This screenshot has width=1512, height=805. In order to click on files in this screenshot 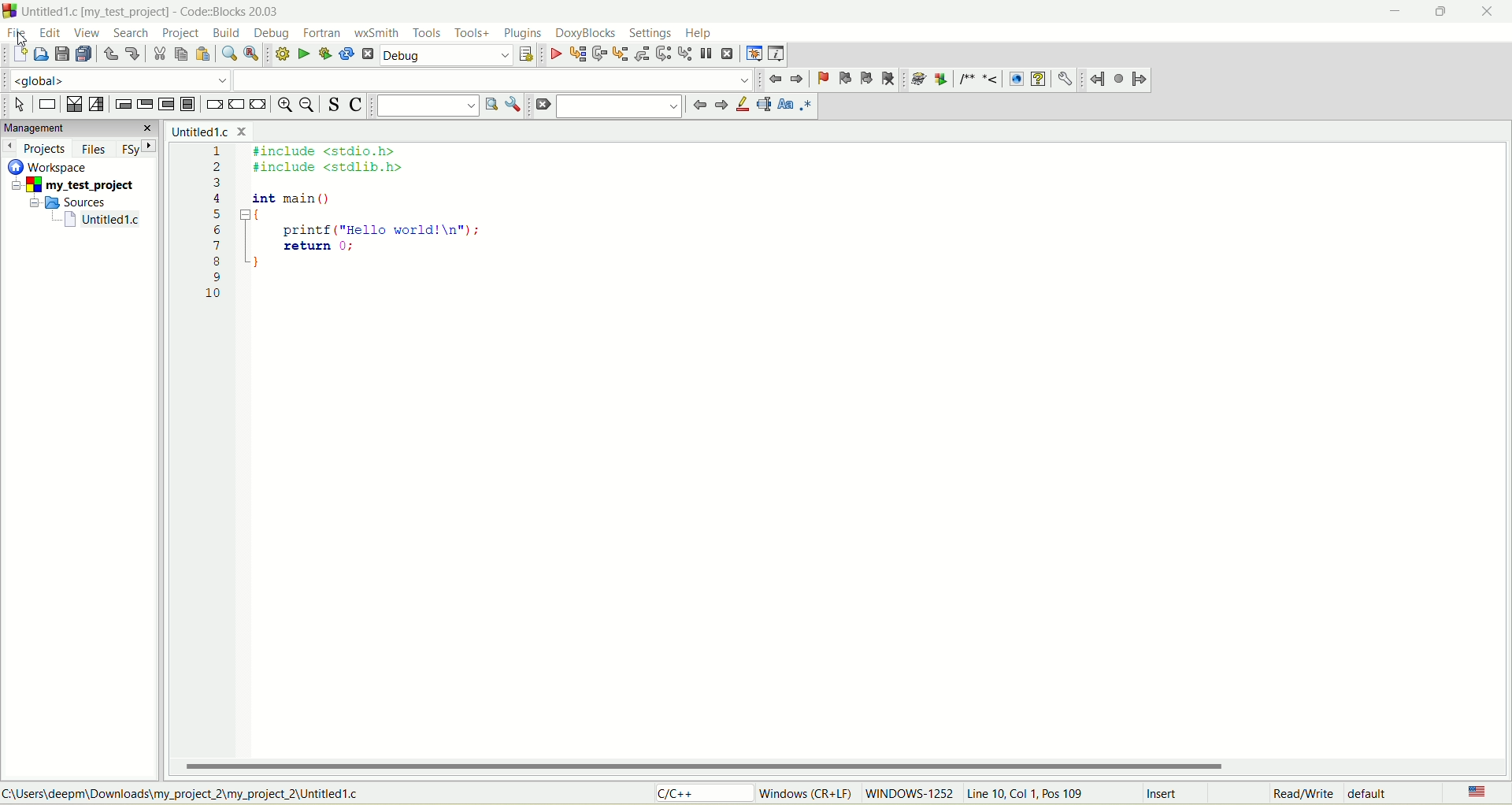, I will do `click(95, 149)`.